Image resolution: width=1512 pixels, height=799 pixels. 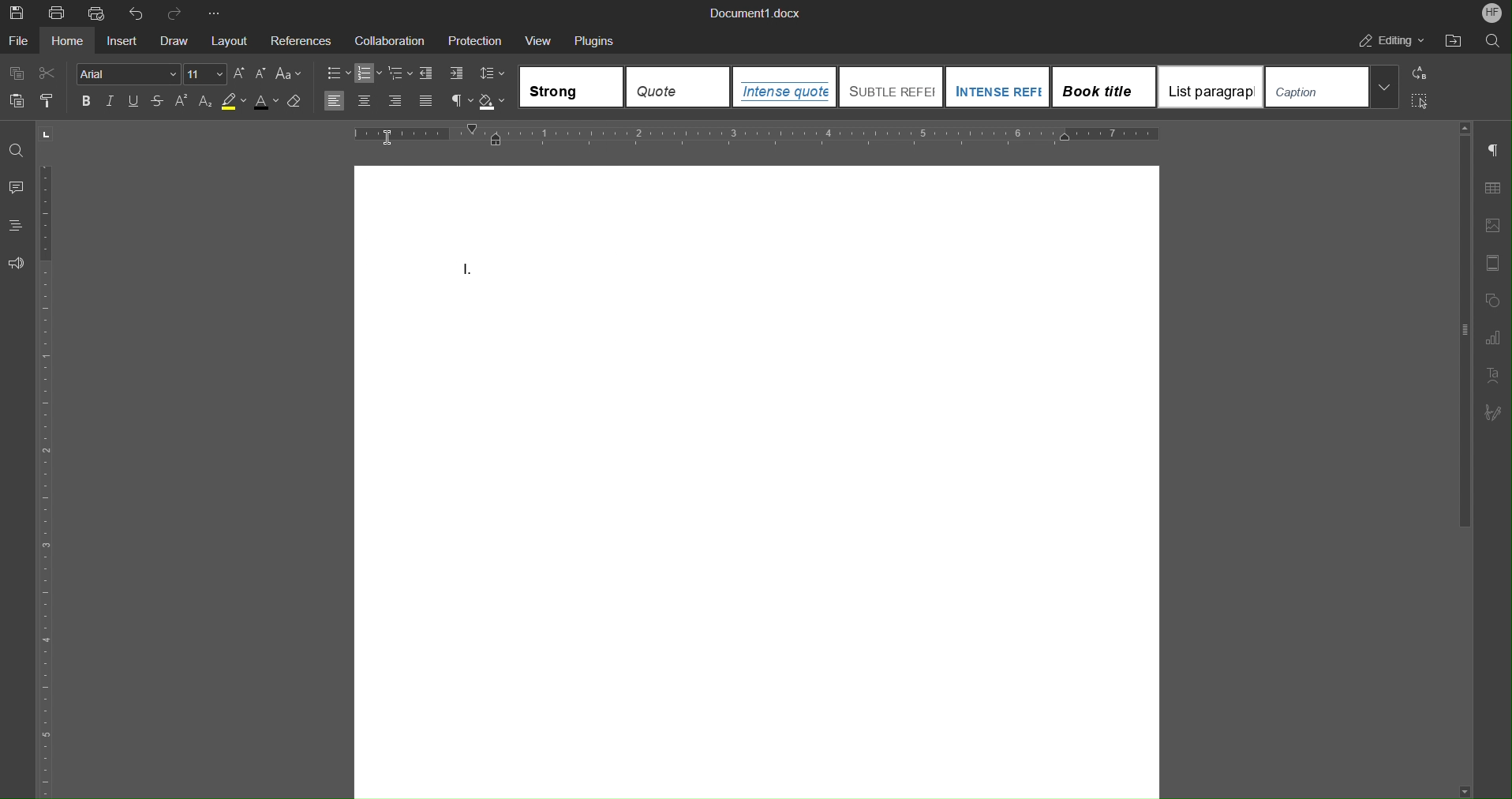 What do you see at coordinates (365, 101) in the screenshot?
I see `Centre Align` at bounding box center [365, 101].